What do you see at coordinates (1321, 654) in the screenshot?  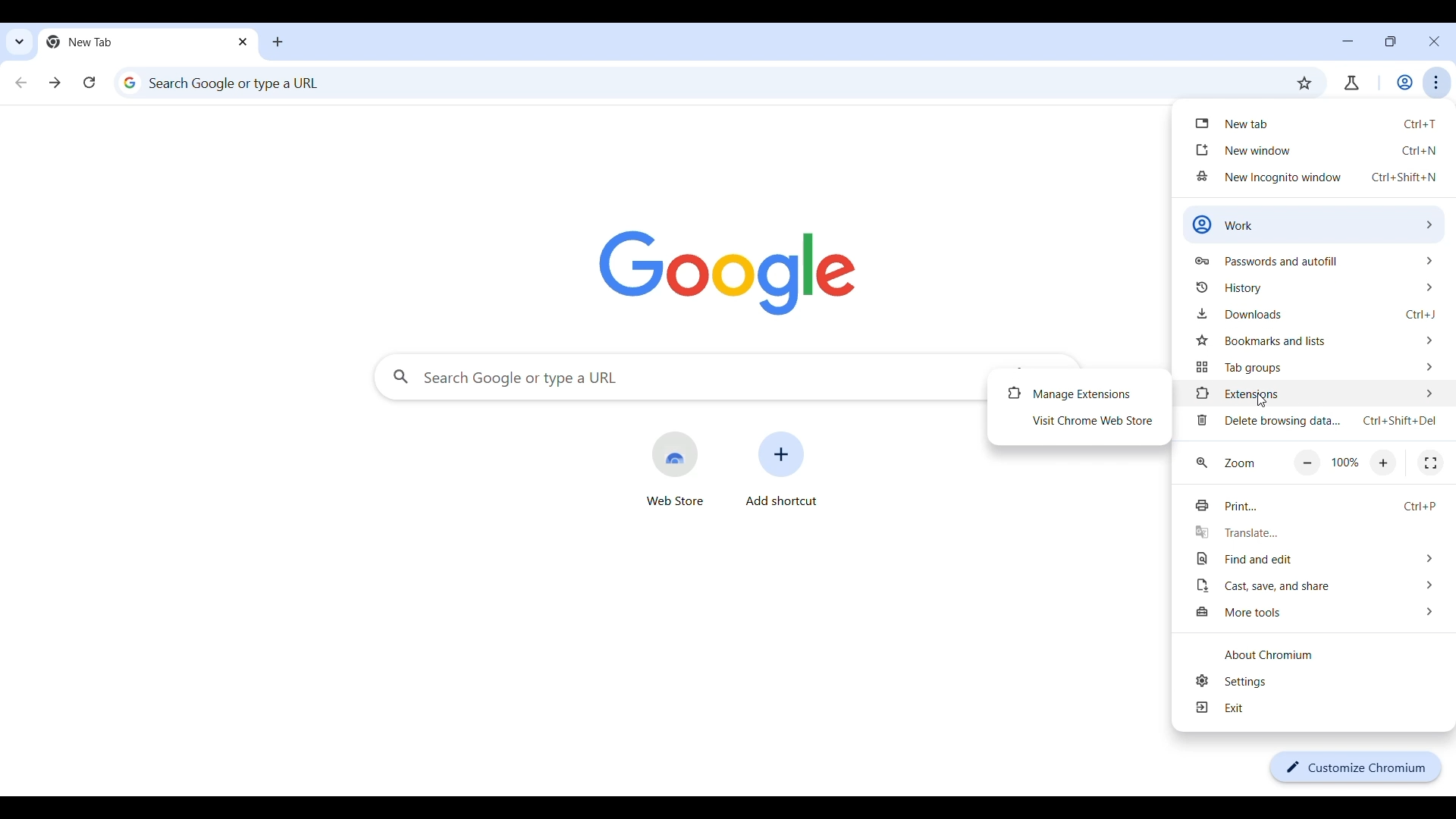 I see `Know more about Chromium` at bounding box center [1321, 654].